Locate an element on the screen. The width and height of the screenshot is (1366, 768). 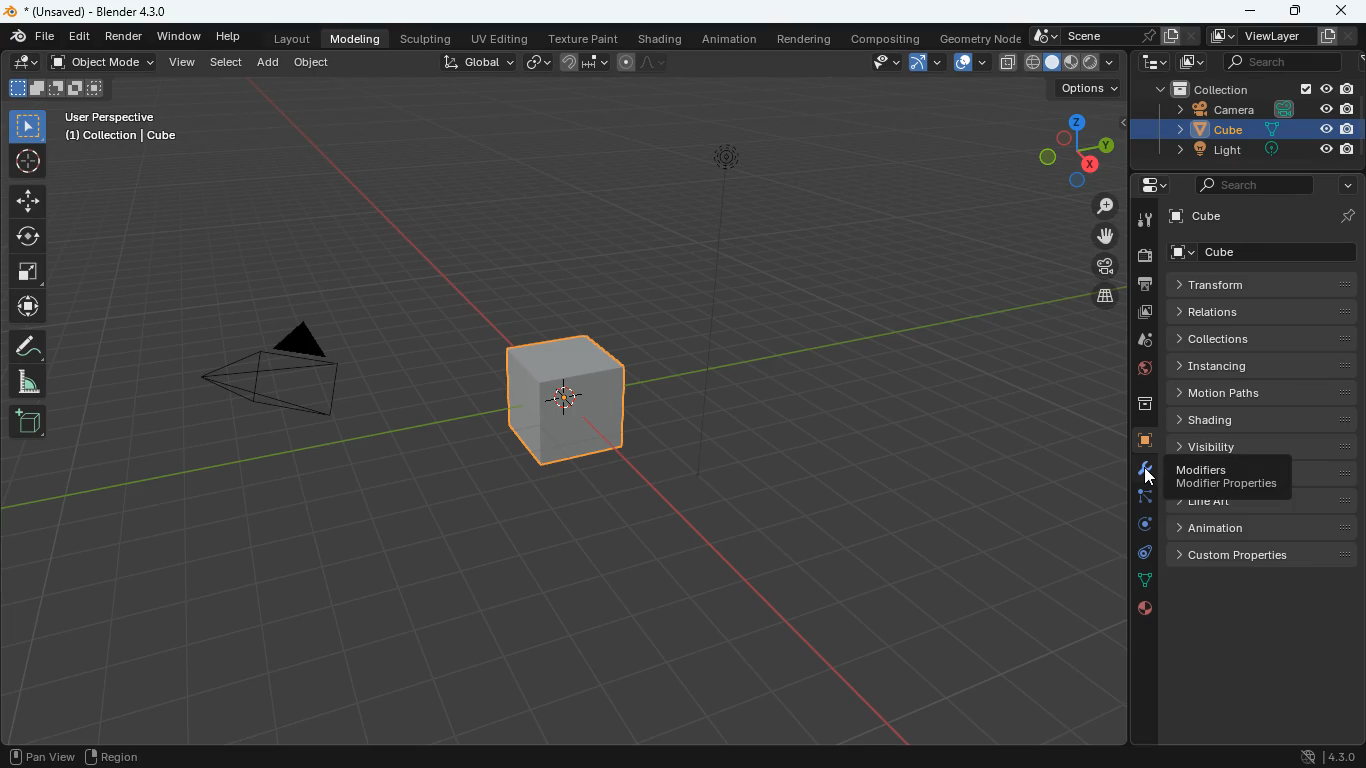
cube is located at coordinates (1265, 251).